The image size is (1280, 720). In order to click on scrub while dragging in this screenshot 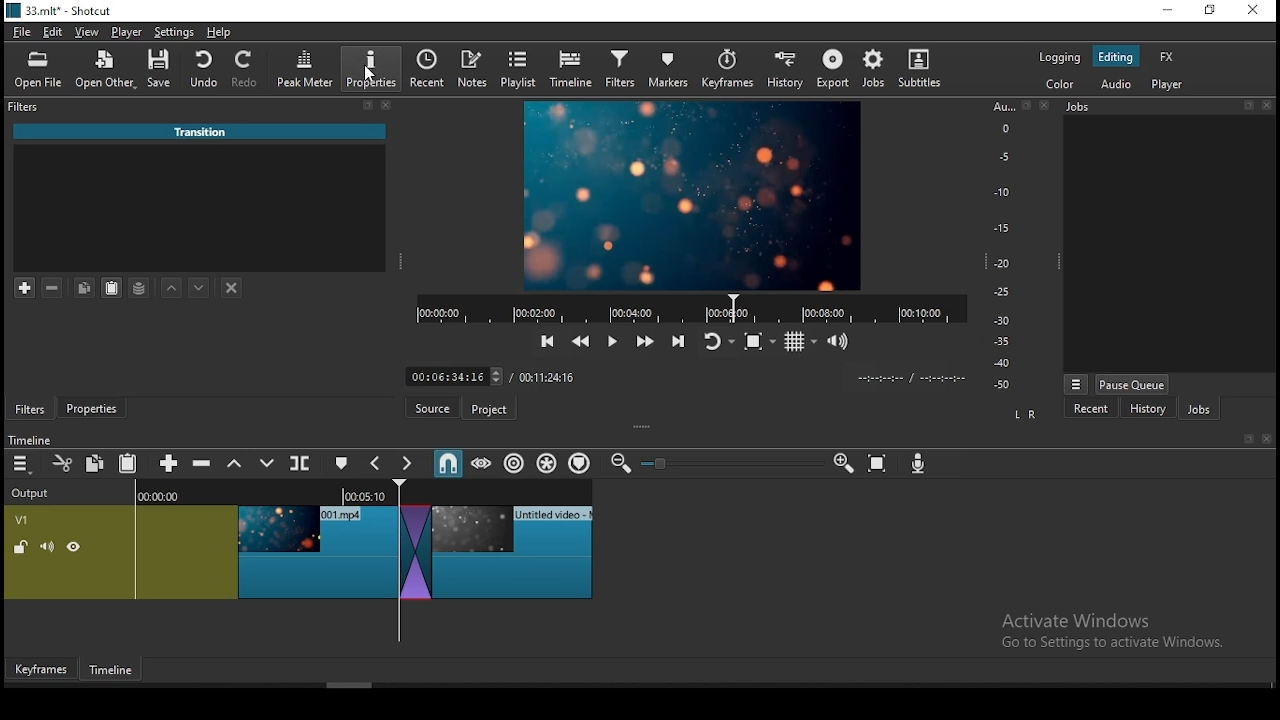, I will do `click(483, 464)`.